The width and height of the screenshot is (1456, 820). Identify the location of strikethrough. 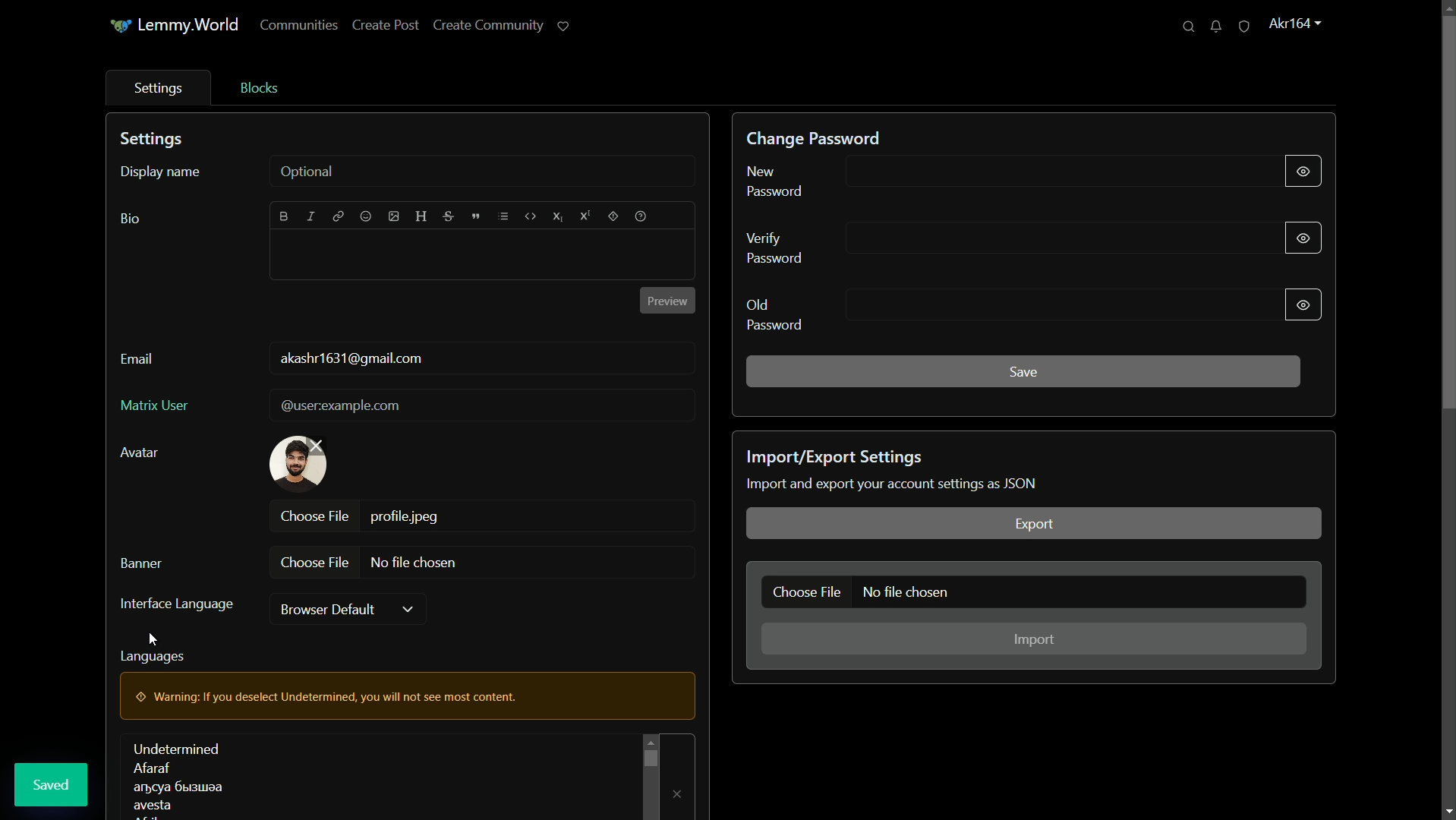
(449, 219).